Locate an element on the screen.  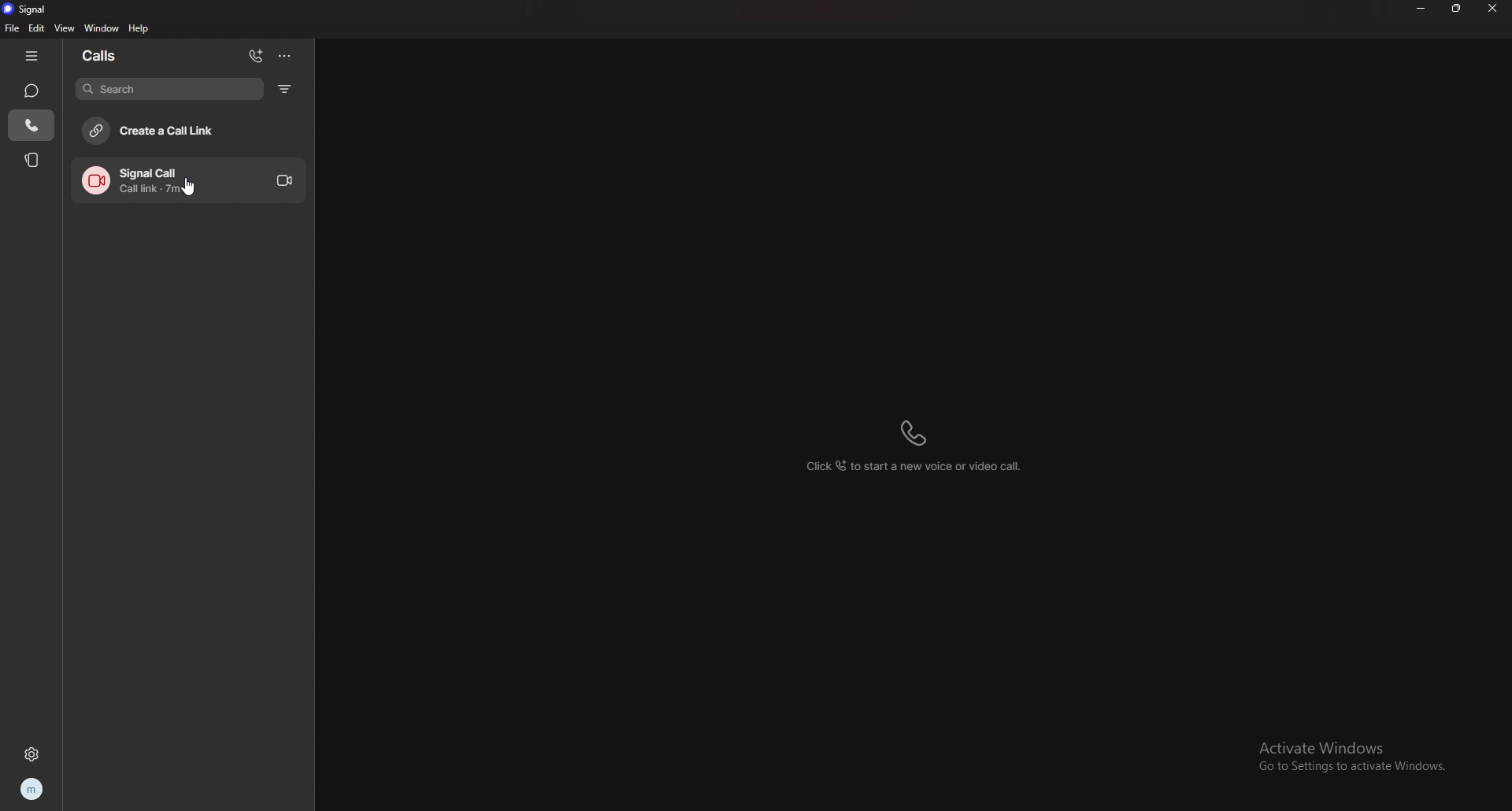
search is located at coordinates (169, 88).